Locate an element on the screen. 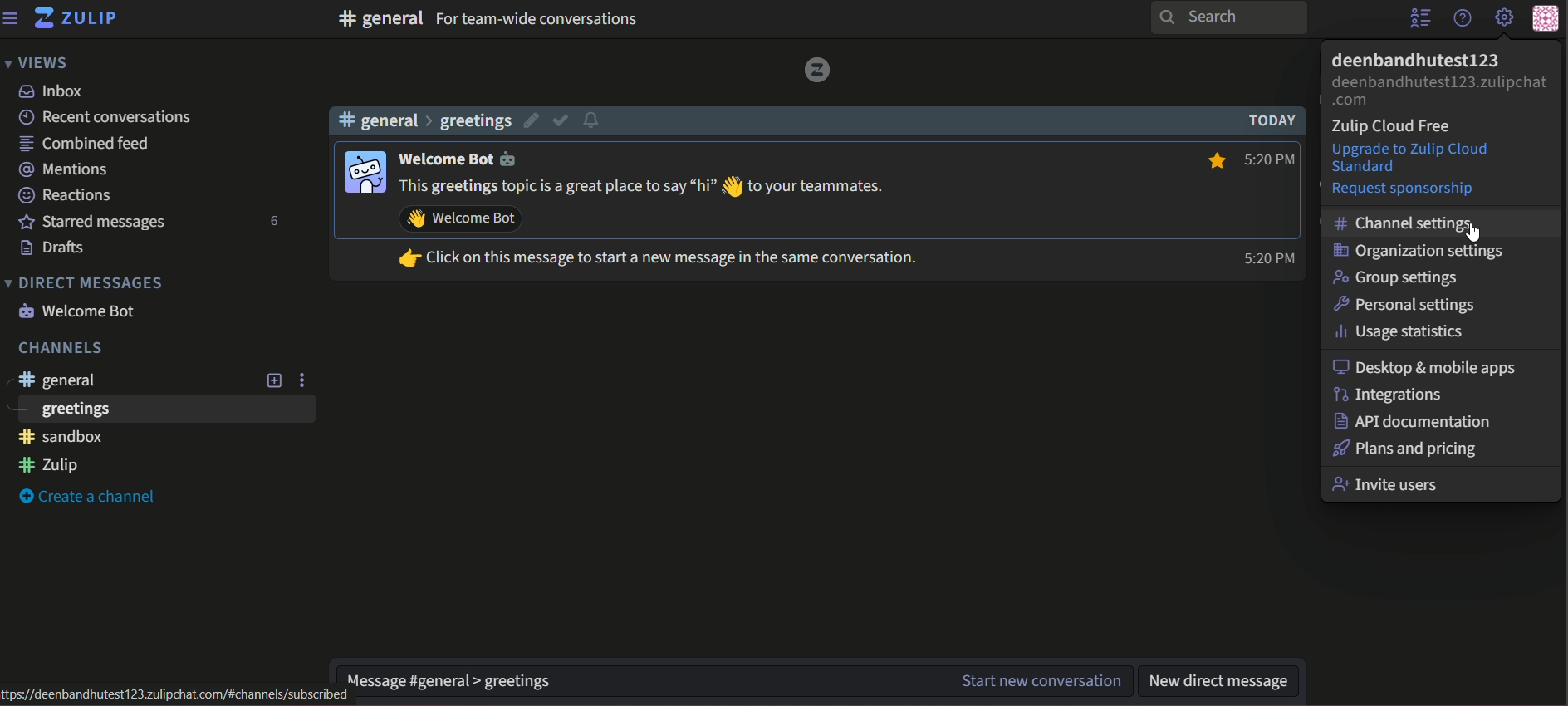  general is located at coordinates (380, 18).